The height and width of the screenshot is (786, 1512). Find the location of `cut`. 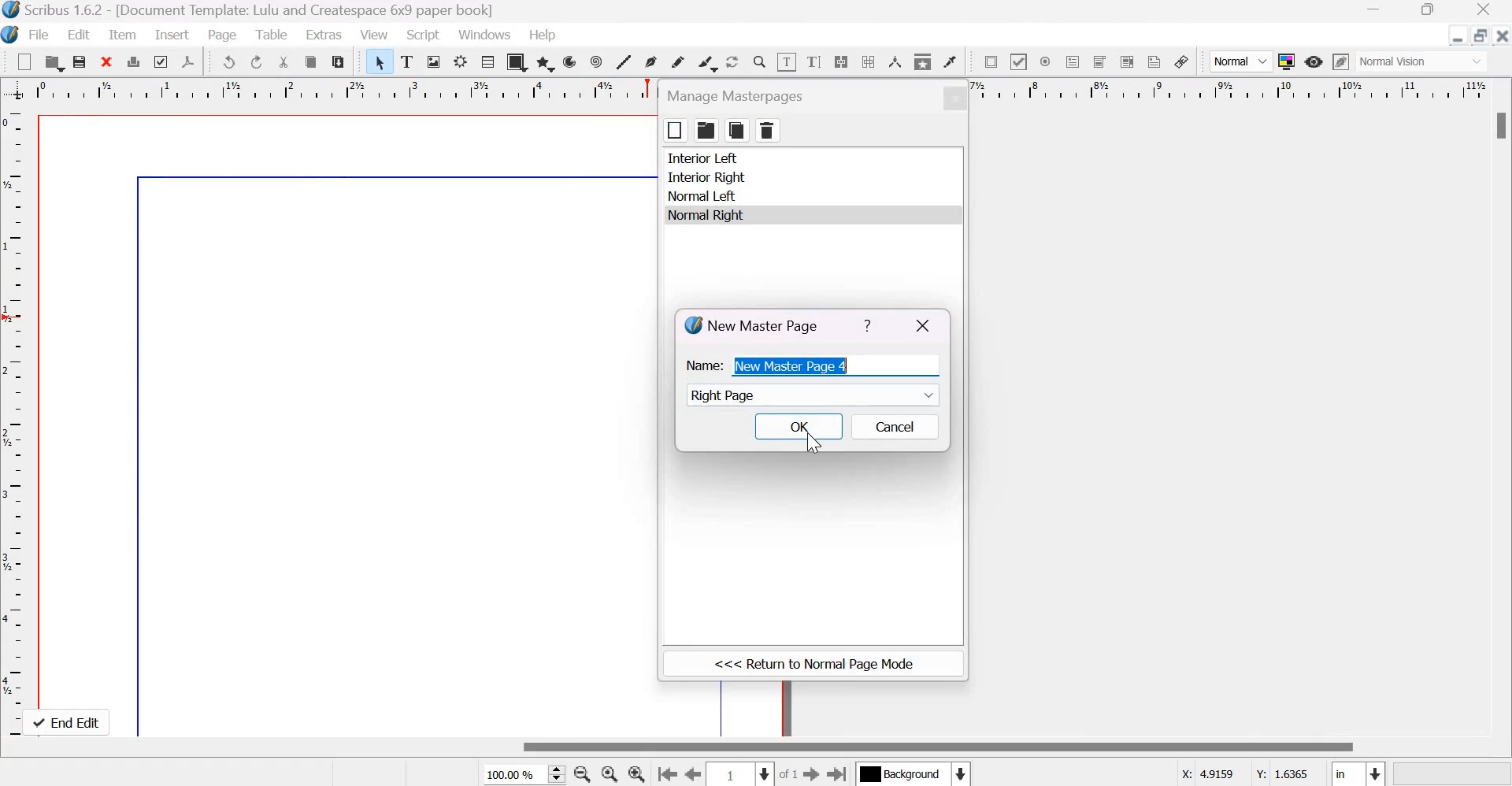

cut is located at coordinates (284, 62).